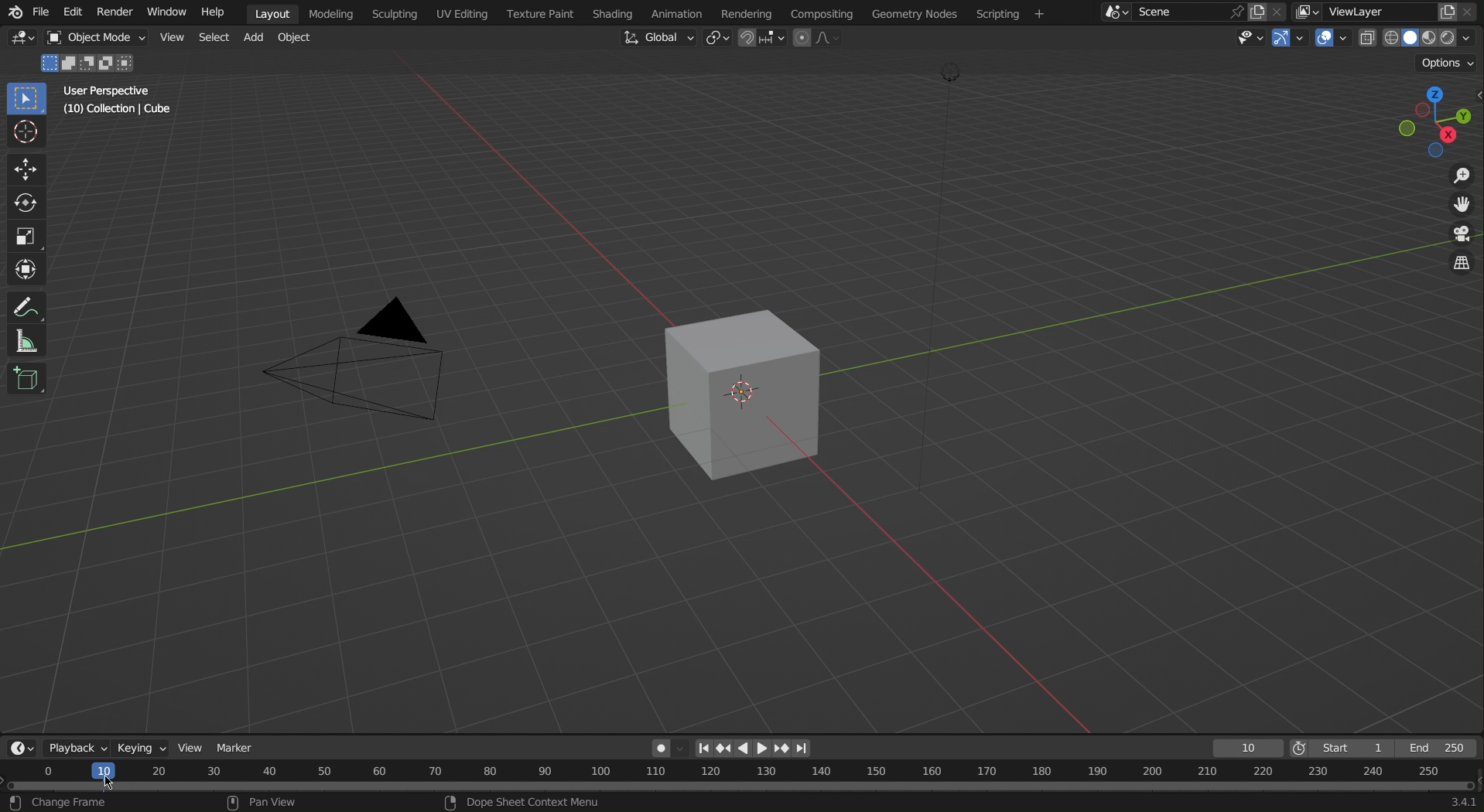 The height and width of the screenshot is (812, 1484). Describe the element at coordinates (813, 41) in the screenshot. I see `Proportional Editing` at that location.